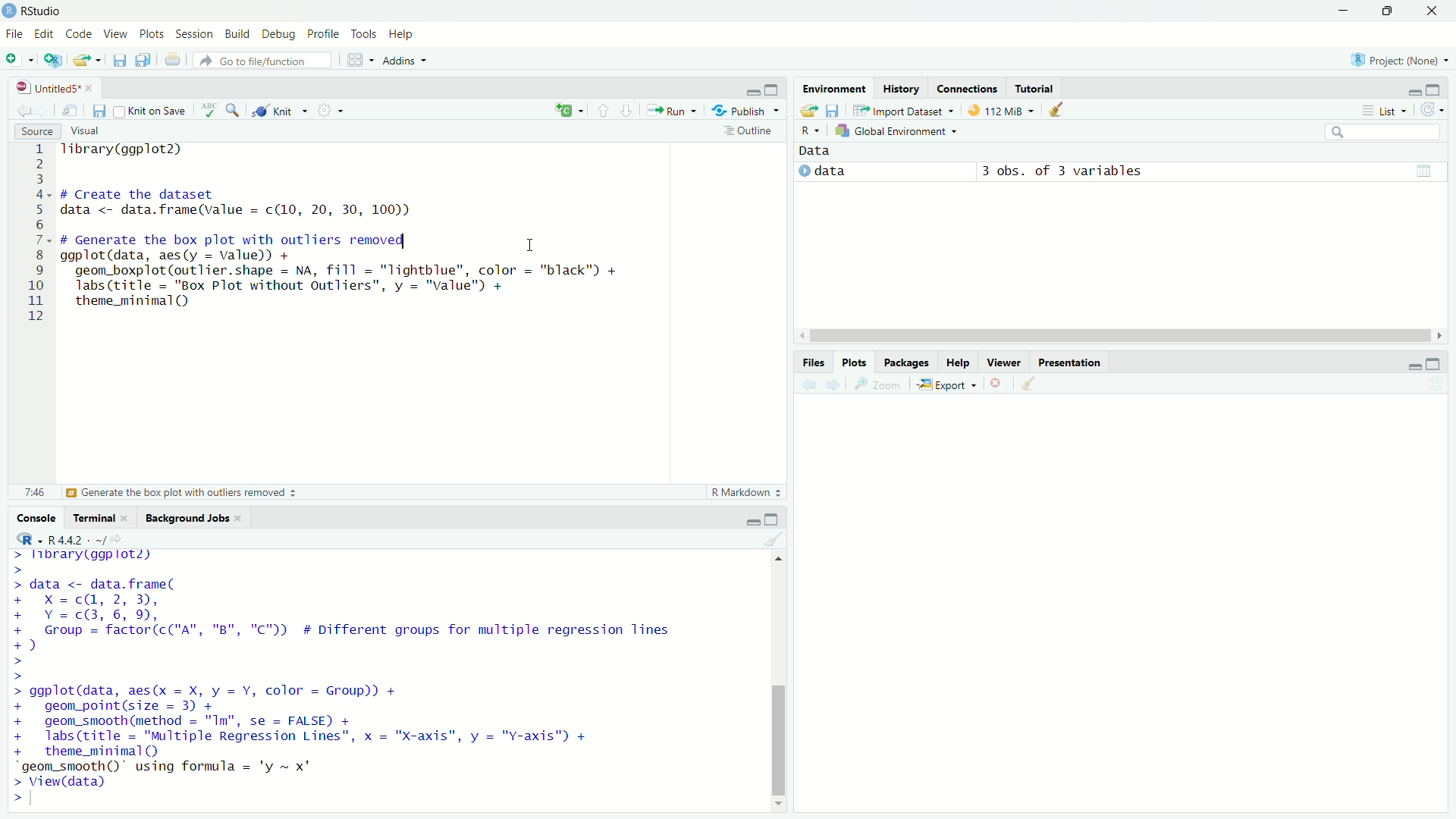  Describe the element at coordinates (1425, 168) in the screenshot. I see `view` at that location.